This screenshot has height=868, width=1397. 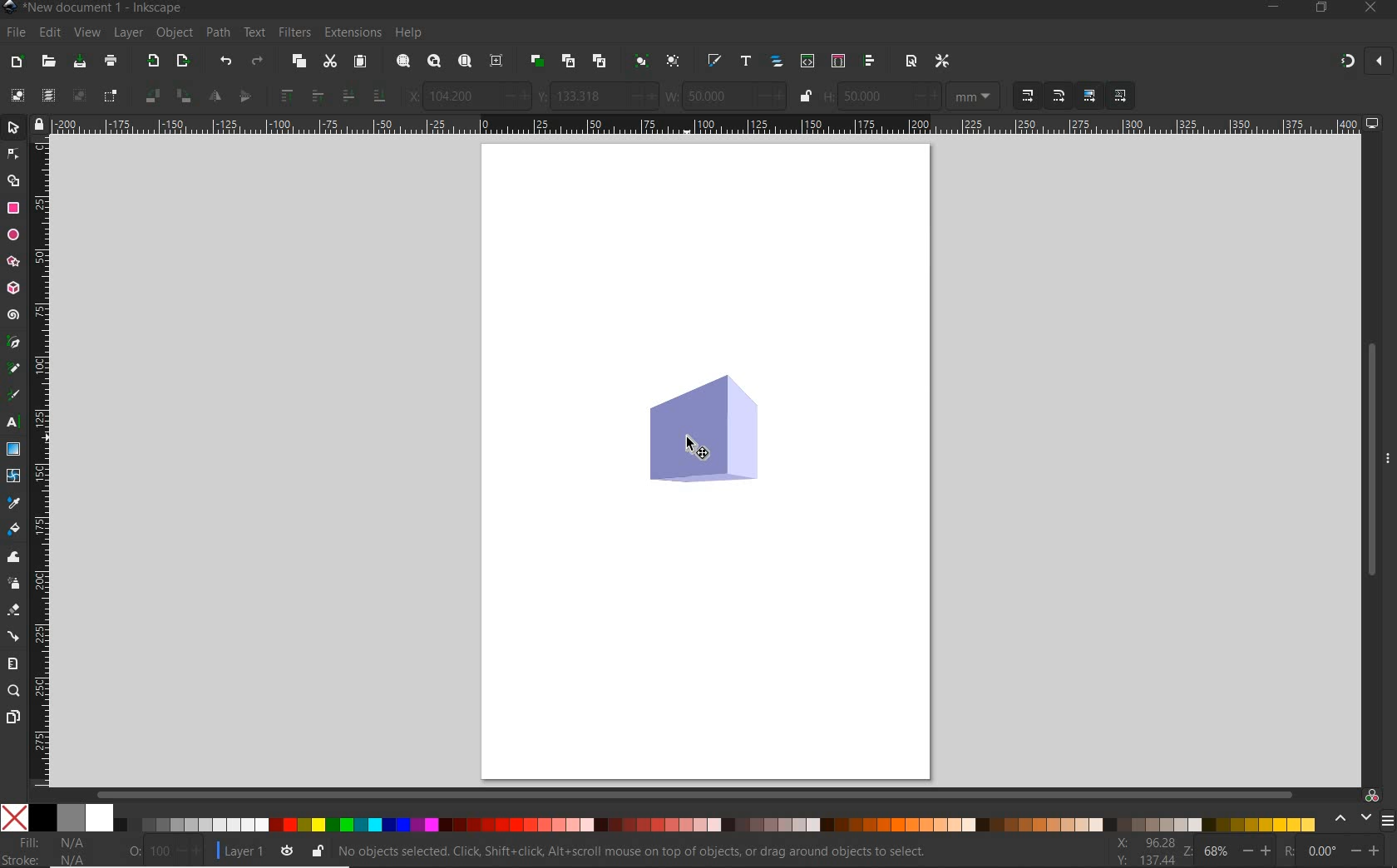 I want to click on open export, so click(x=182, y=60).